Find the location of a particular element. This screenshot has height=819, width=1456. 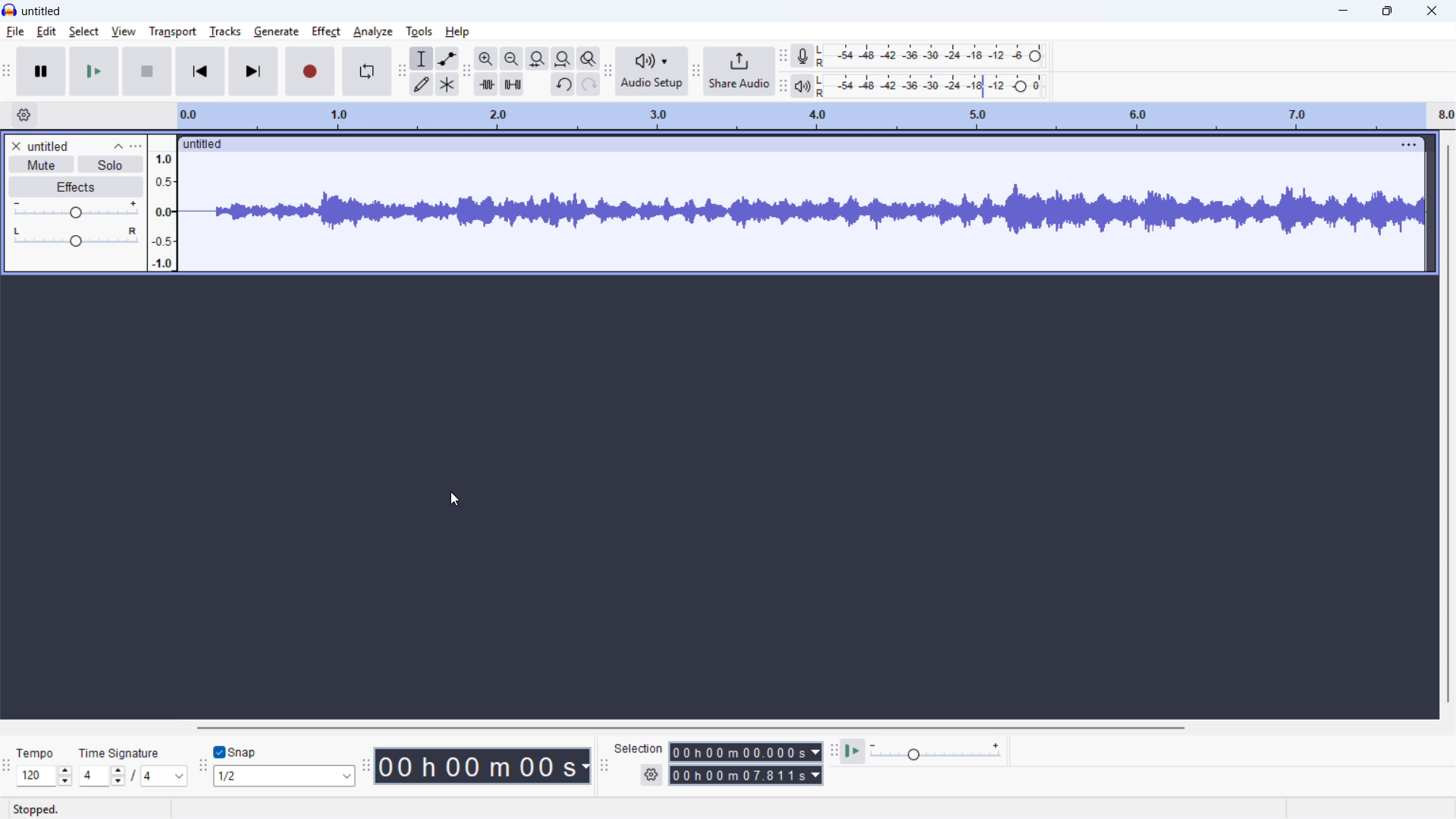

draw tool is located at coordinates (422, 83).